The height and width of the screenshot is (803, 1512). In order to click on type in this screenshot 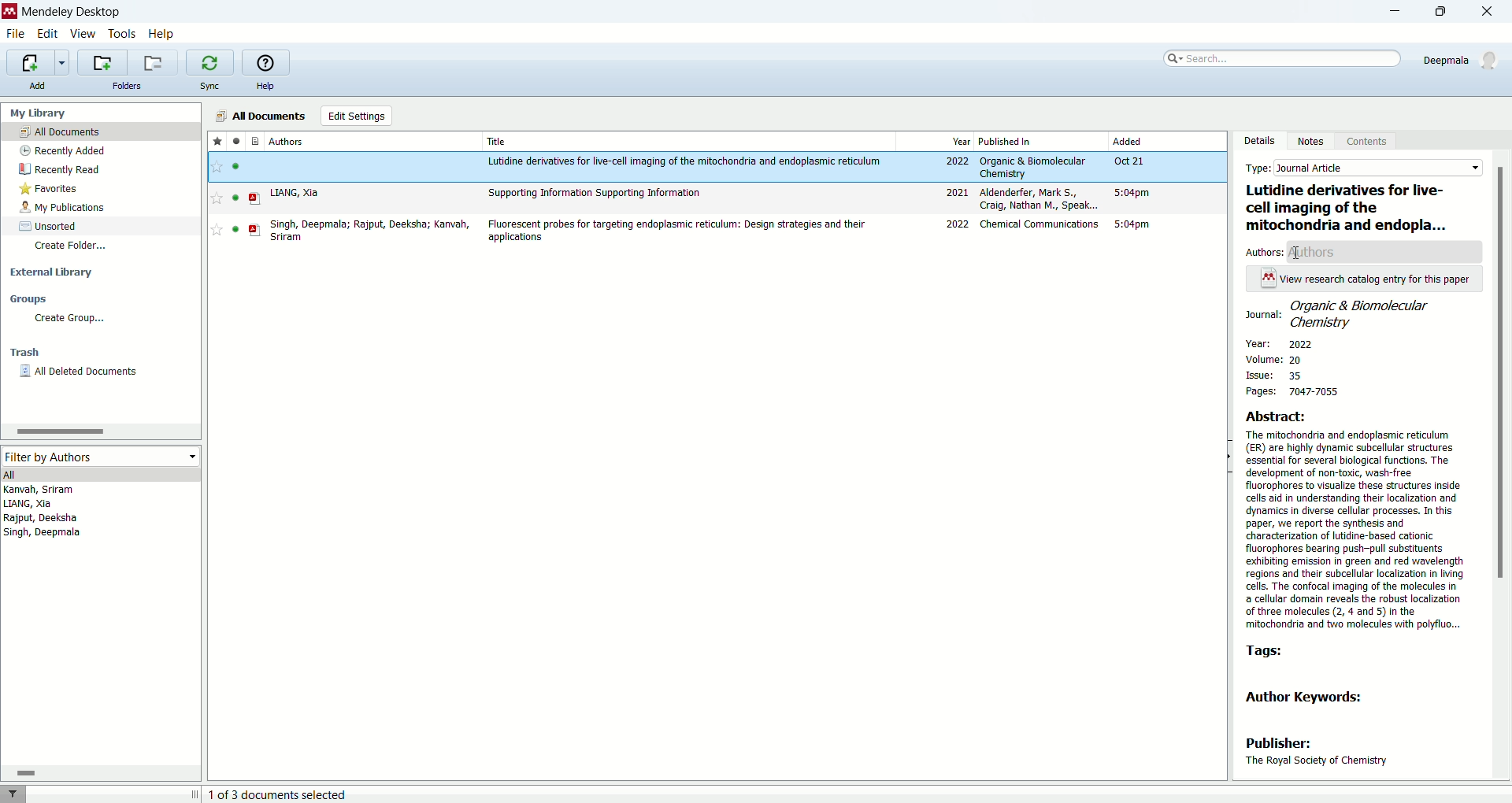, I will do `click(1260, 168)`.